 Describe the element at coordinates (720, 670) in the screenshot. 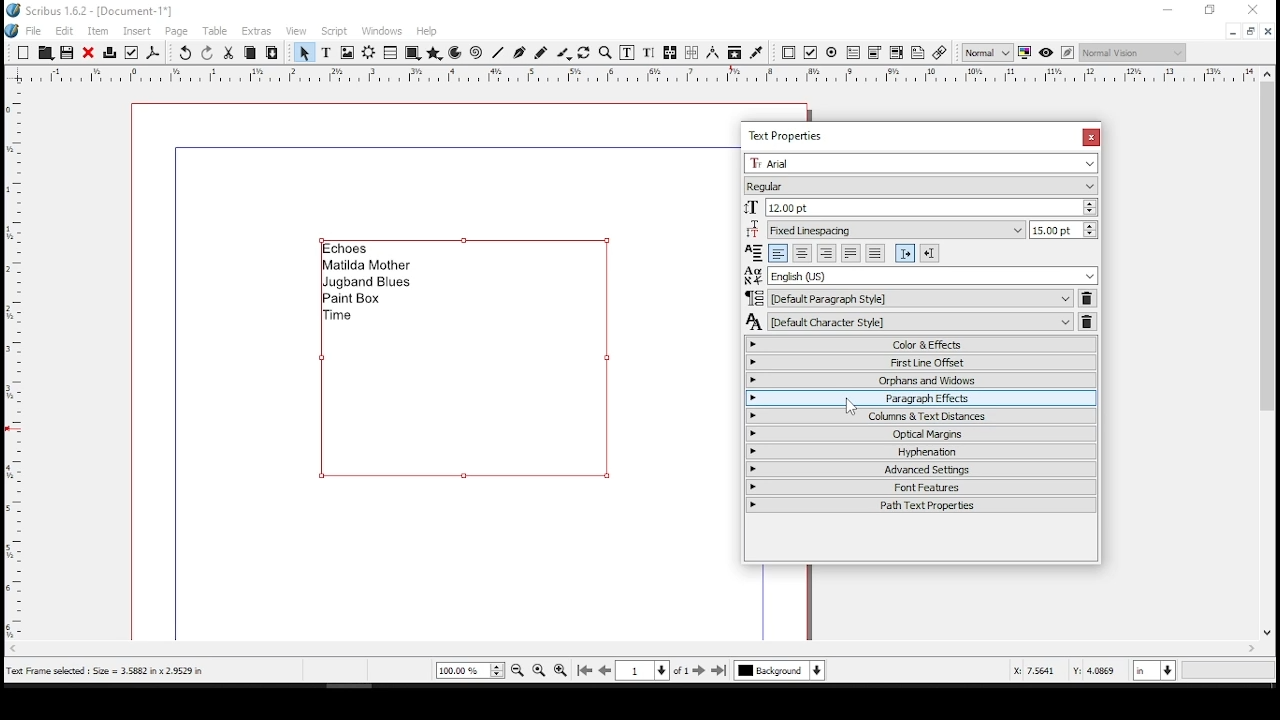

I see `last page` at that location.